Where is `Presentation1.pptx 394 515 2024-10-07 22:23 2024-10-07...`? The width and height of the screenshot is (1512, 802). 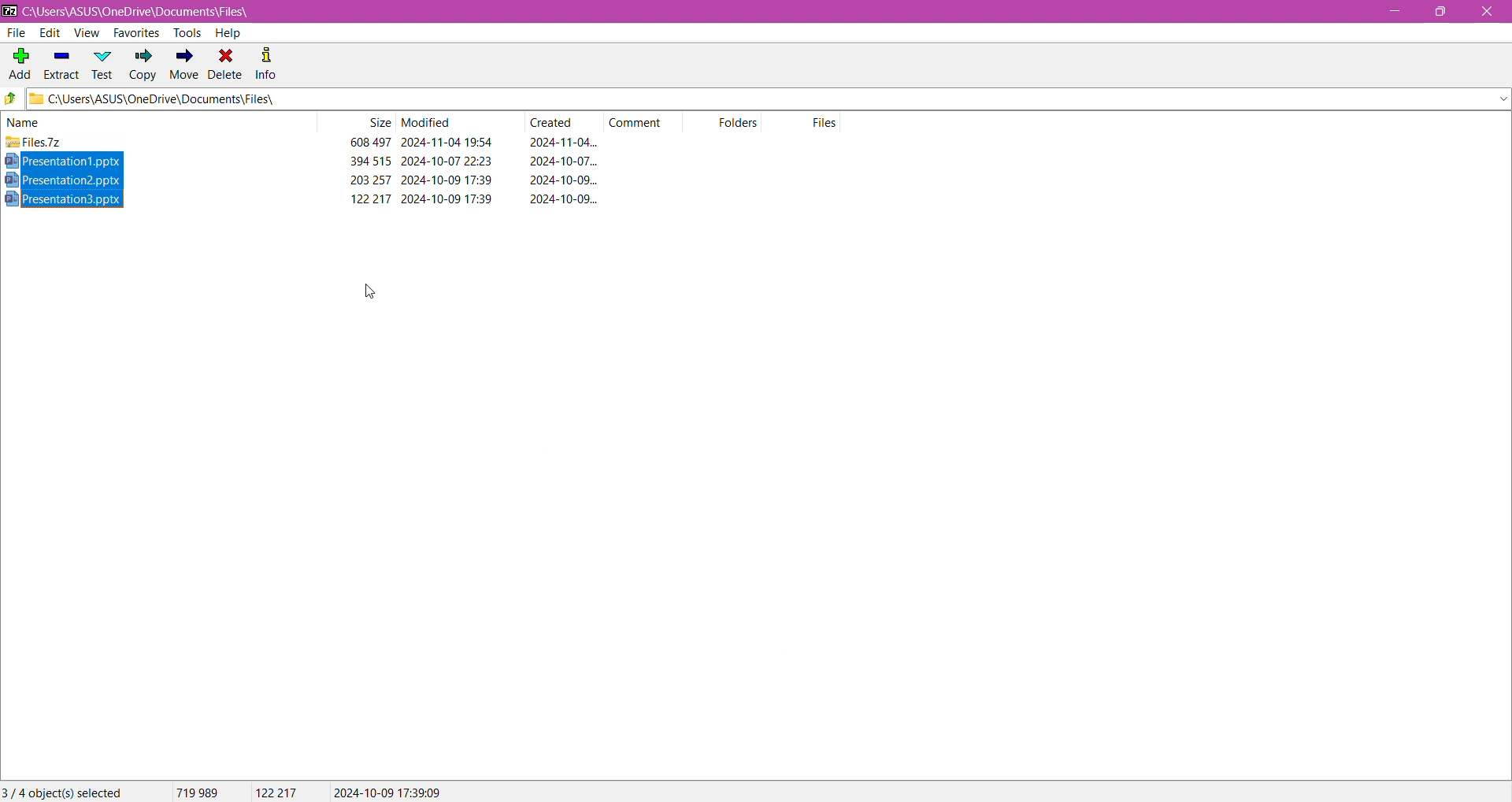 Presentation1.pptx 394 515 2024-10-07 22:23 2024-10-07... is located at coordinates (308, 163).